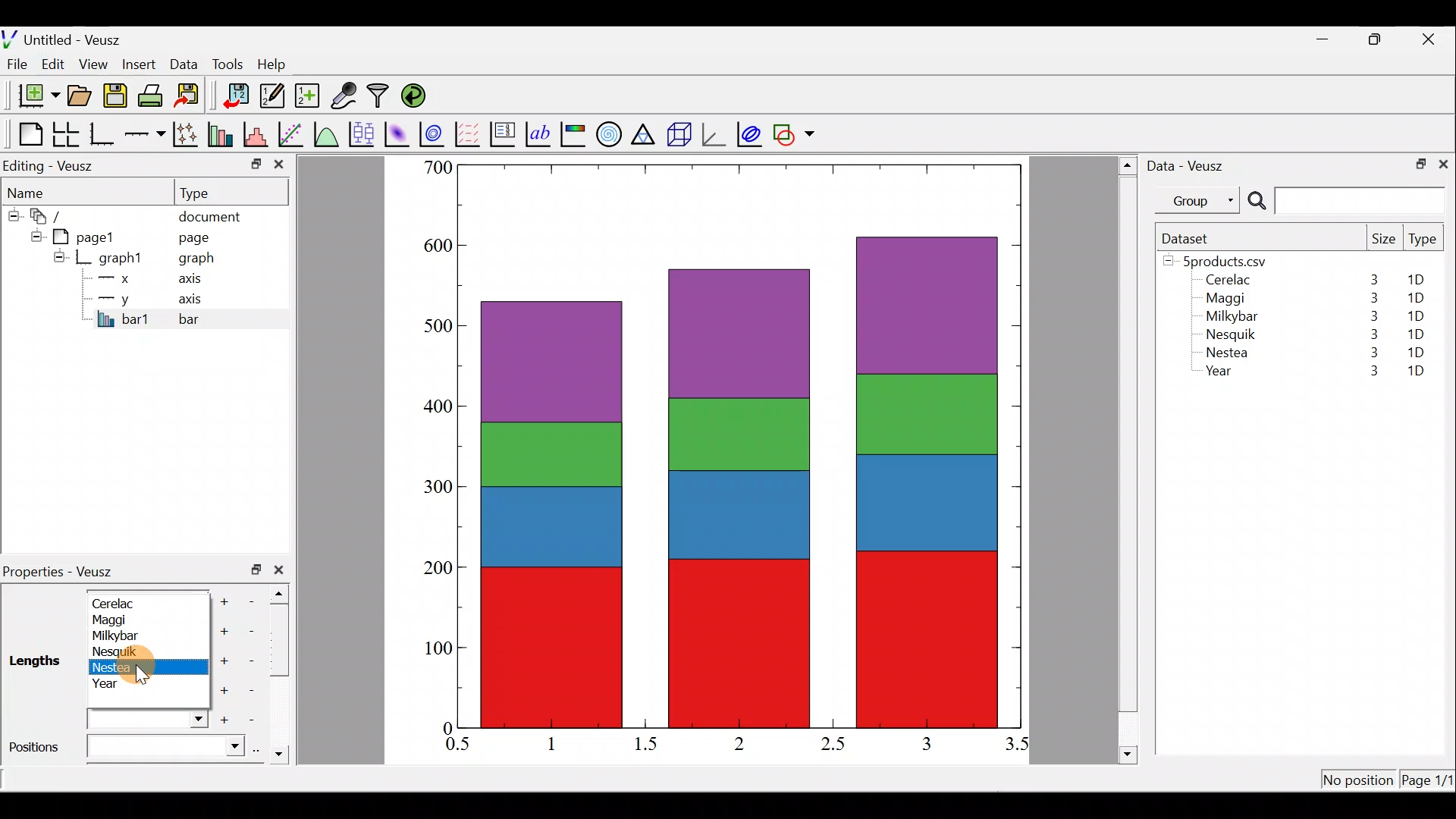 This screenshot has width=1456, height=819. I want to click on Insert, so click(141, 64).